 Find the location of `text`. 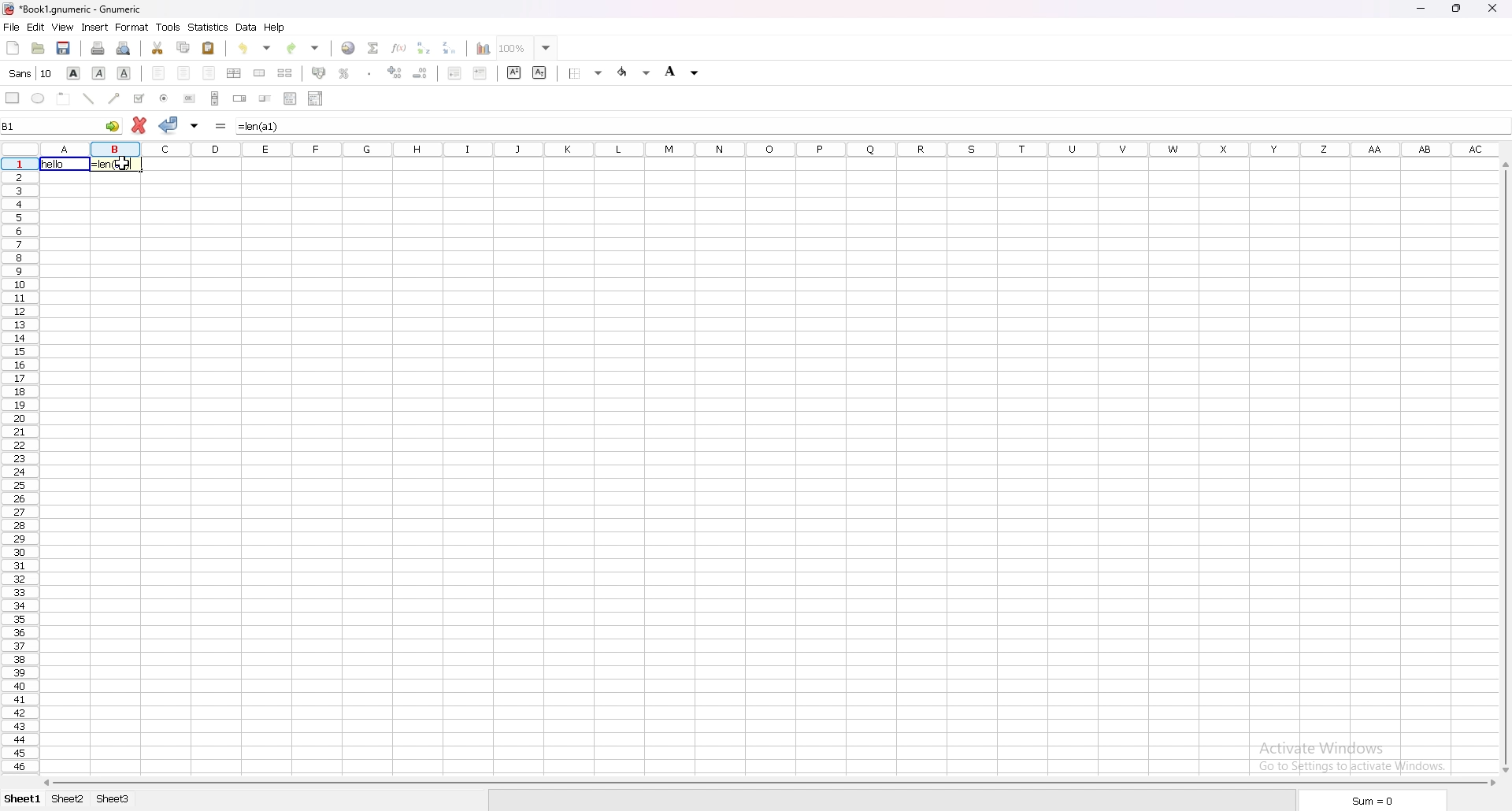

text is located at coordinates (62, 165).